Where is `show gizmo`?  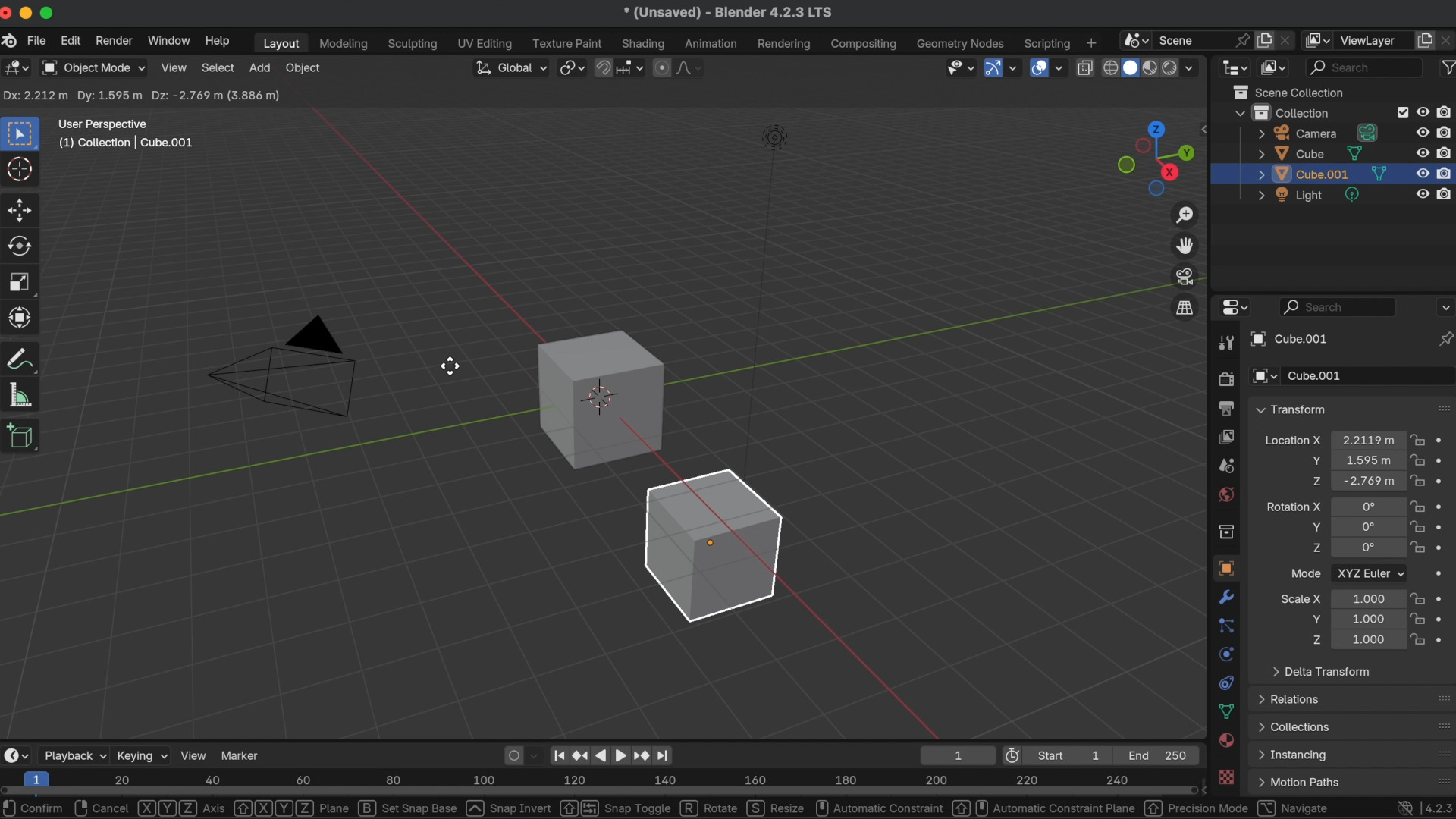
show gizmo is located at coordinates (992, 69).